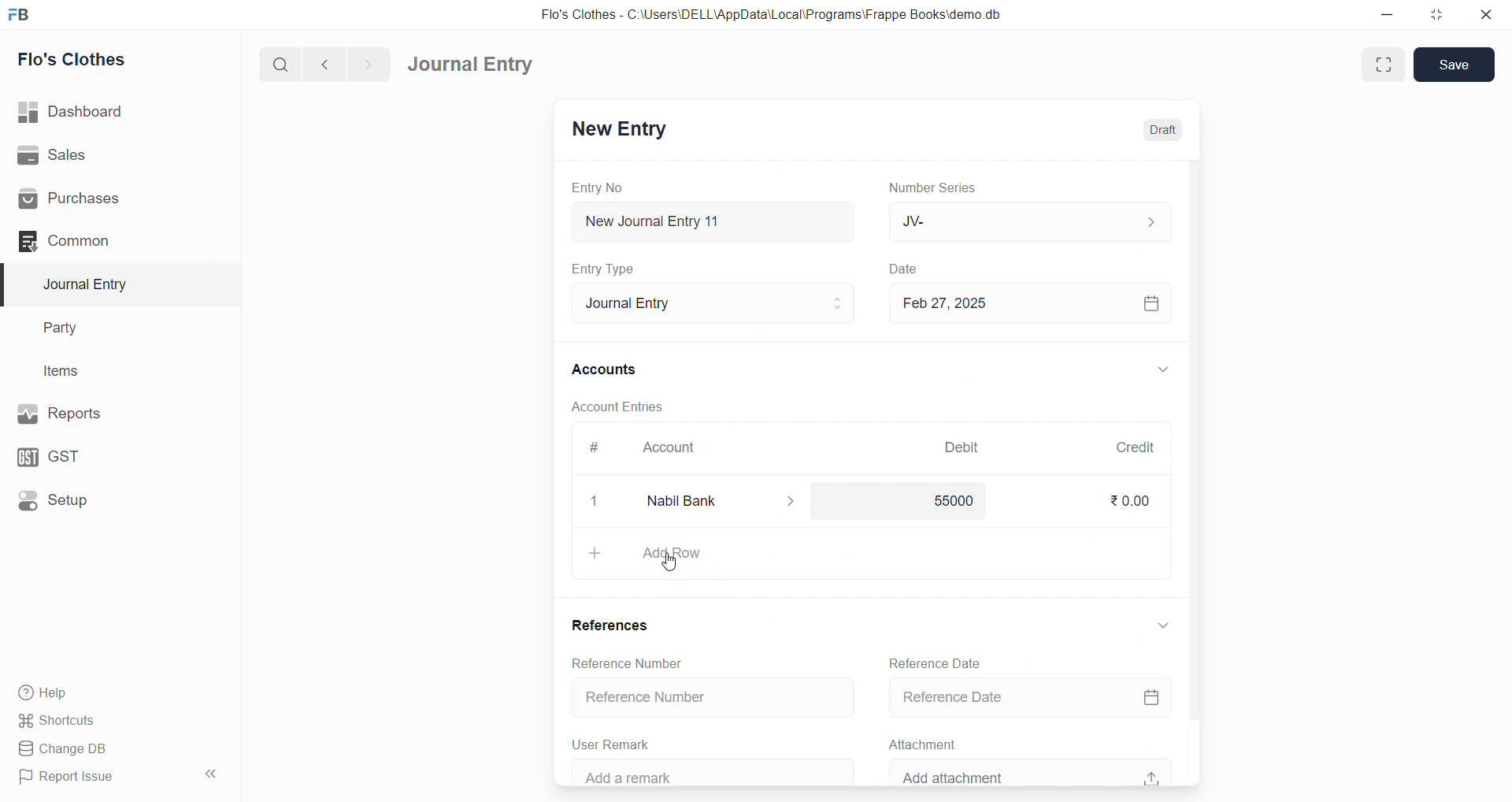  What do you see at coordinates (80, 59) in the screenshot?
I see `Flo's Clothes` at bounding box center [80, 59].